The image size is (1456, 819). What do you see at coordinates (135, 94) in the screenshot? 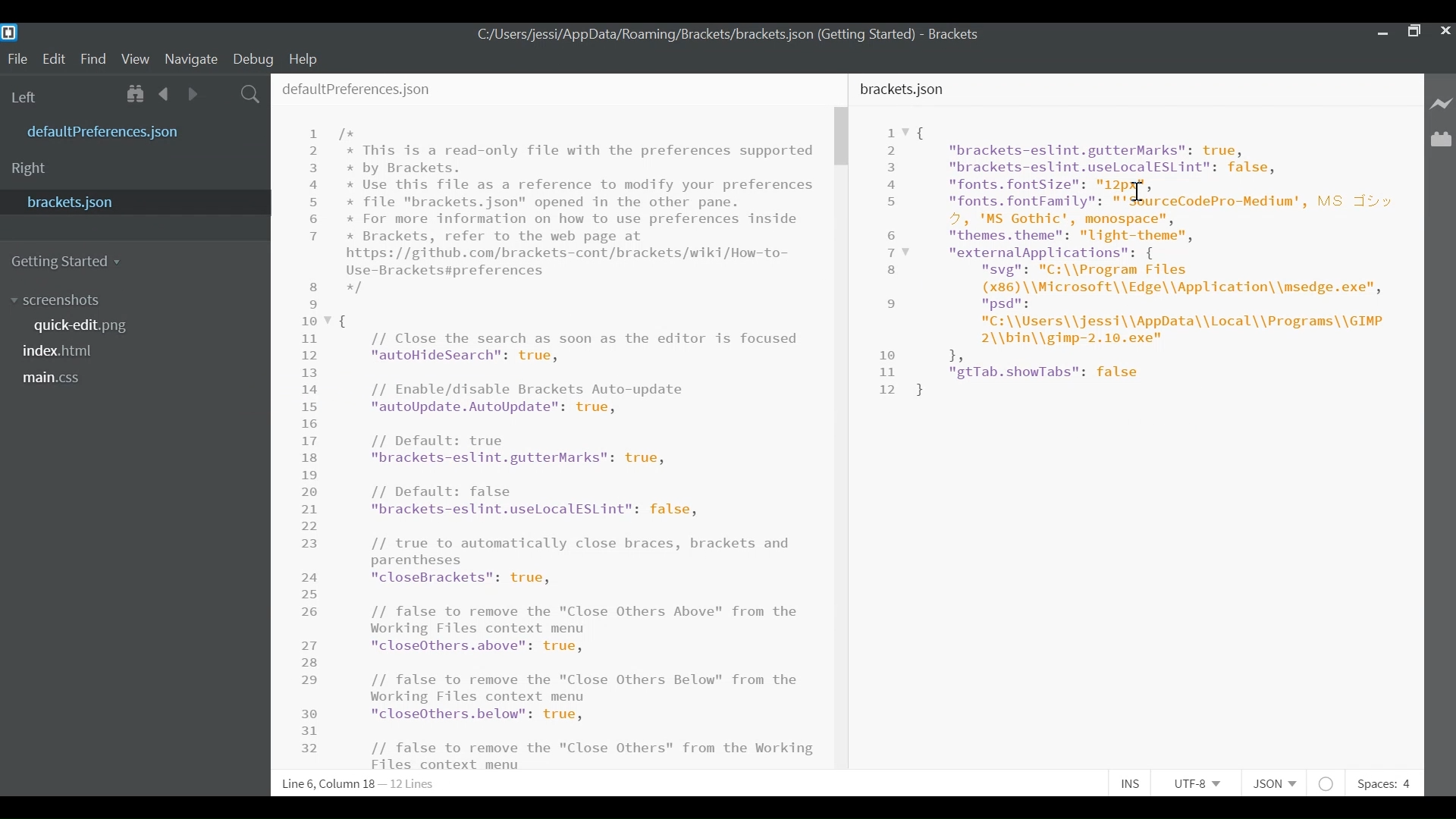
I see `Show in File tree` at bounding box center [135, 94].